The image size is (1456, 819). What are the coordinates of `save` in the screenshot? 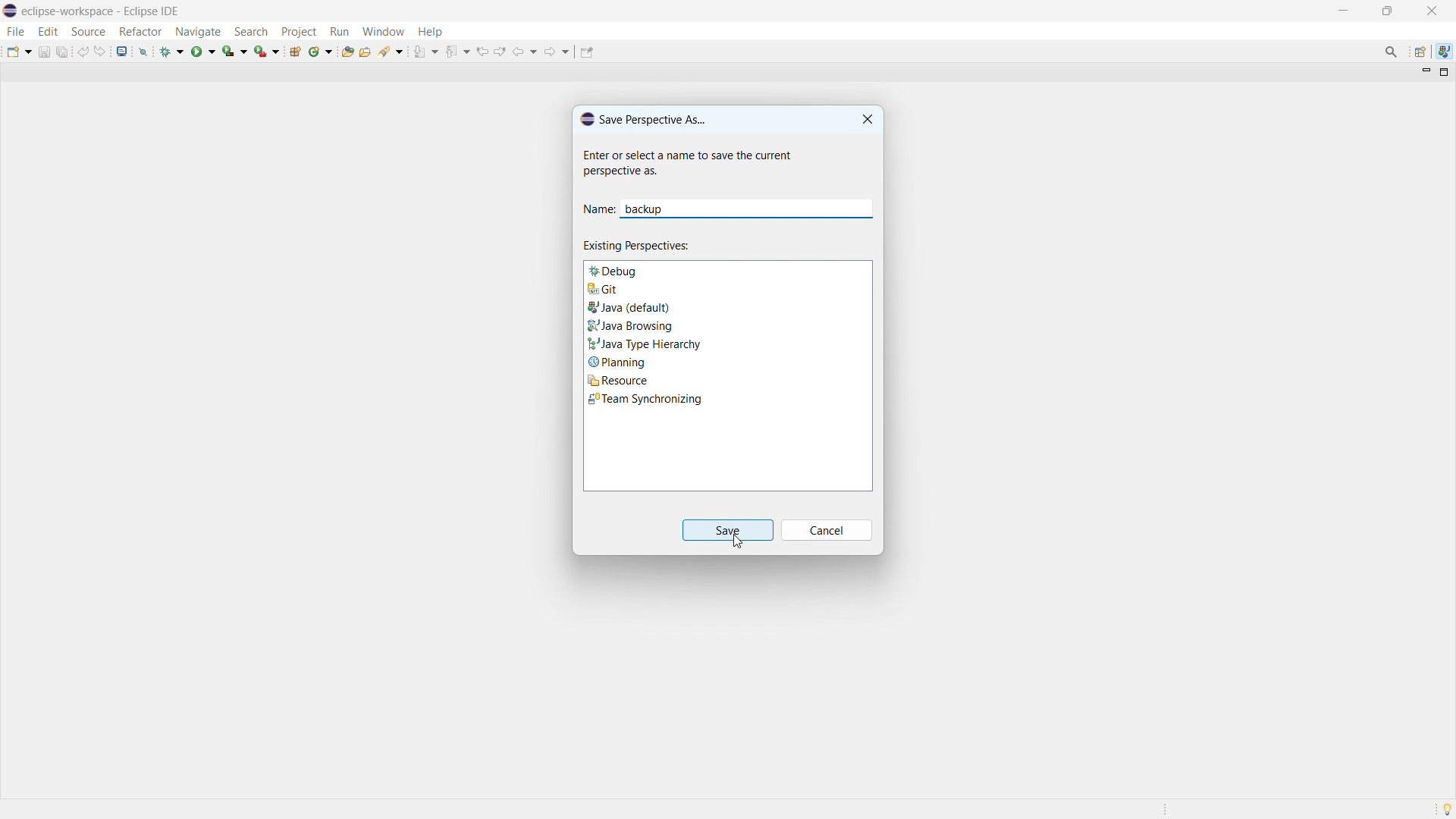 It's located at (728, 530).